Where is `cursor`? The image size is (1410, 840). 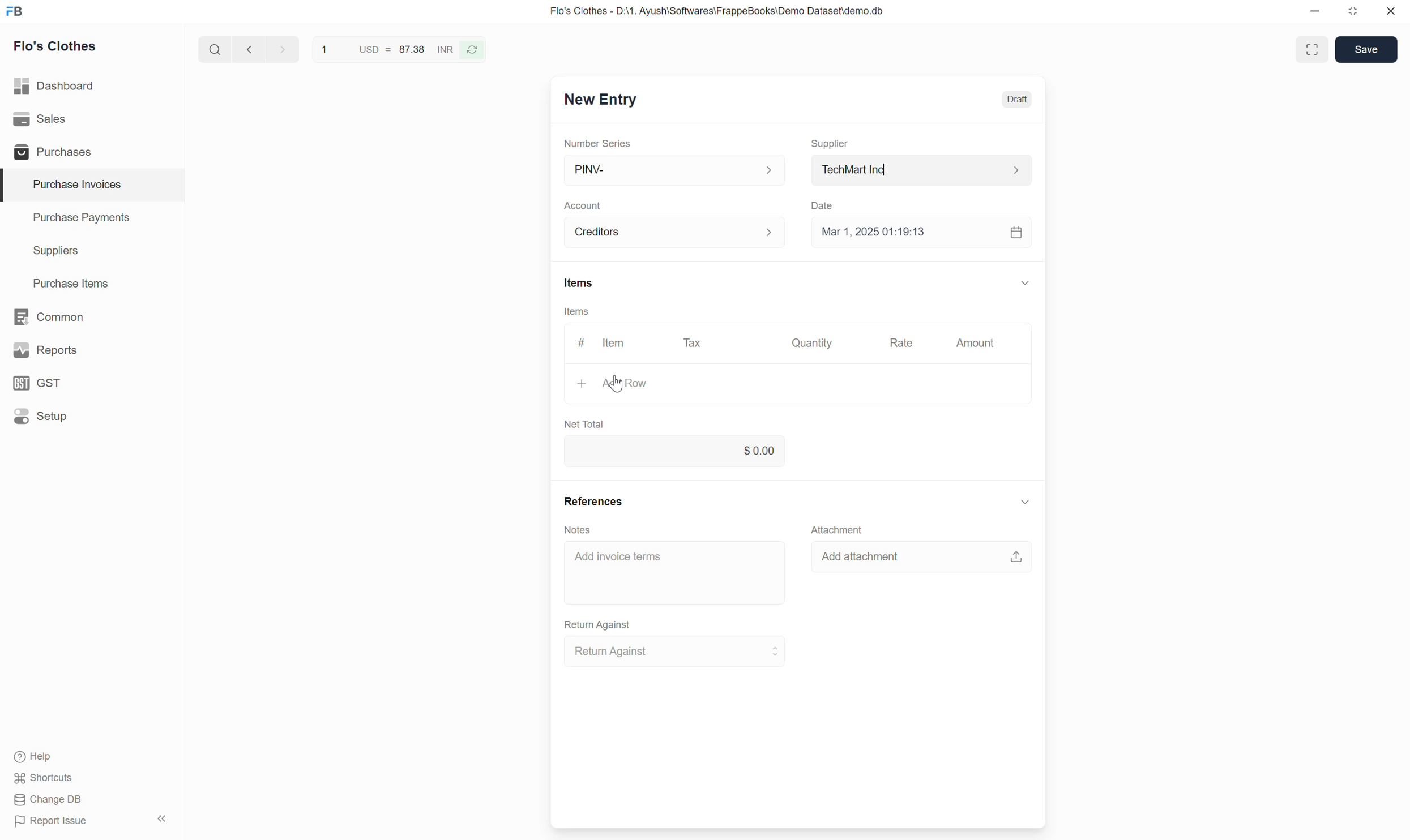
cursor is located at coordinates (615, 390).